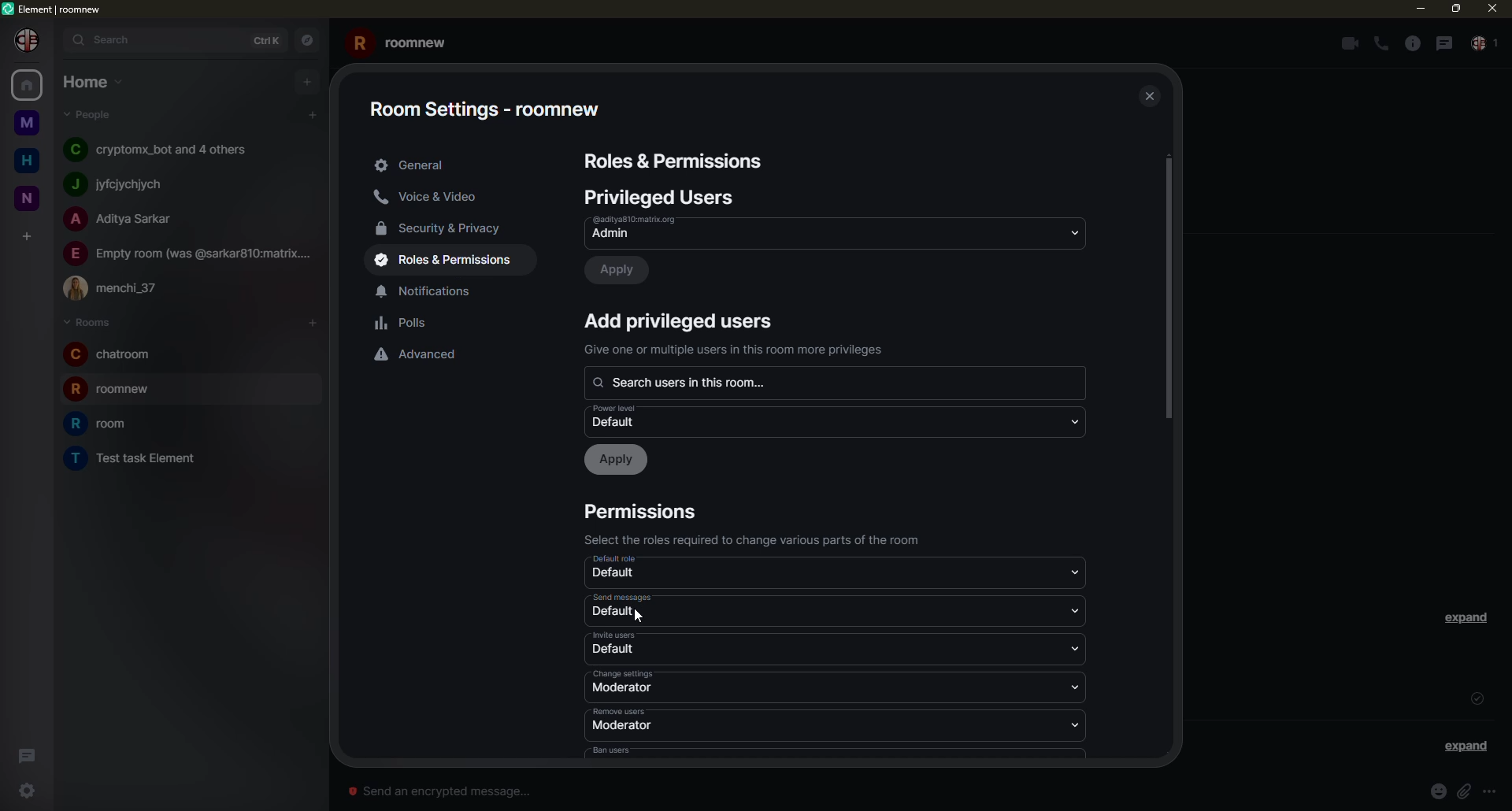 This screenshot has width=1512, height=811. Describe the element at coordinates (432, 198) in the screenshot. I see `voice` at that location.